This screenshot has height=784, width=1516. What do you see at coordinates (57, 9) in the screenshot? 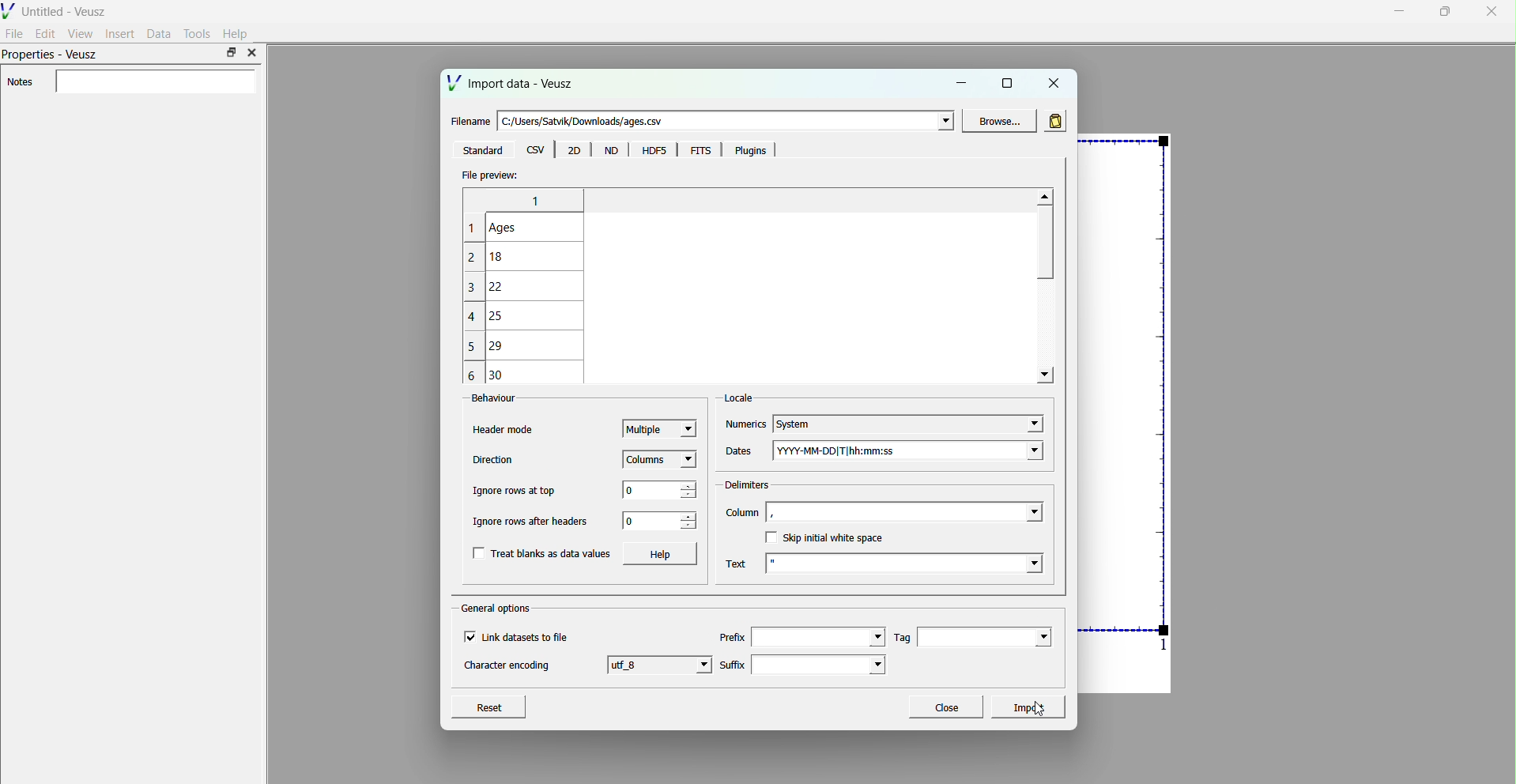
I see `Untitled - Veusz` at bounding box center [57, 9].